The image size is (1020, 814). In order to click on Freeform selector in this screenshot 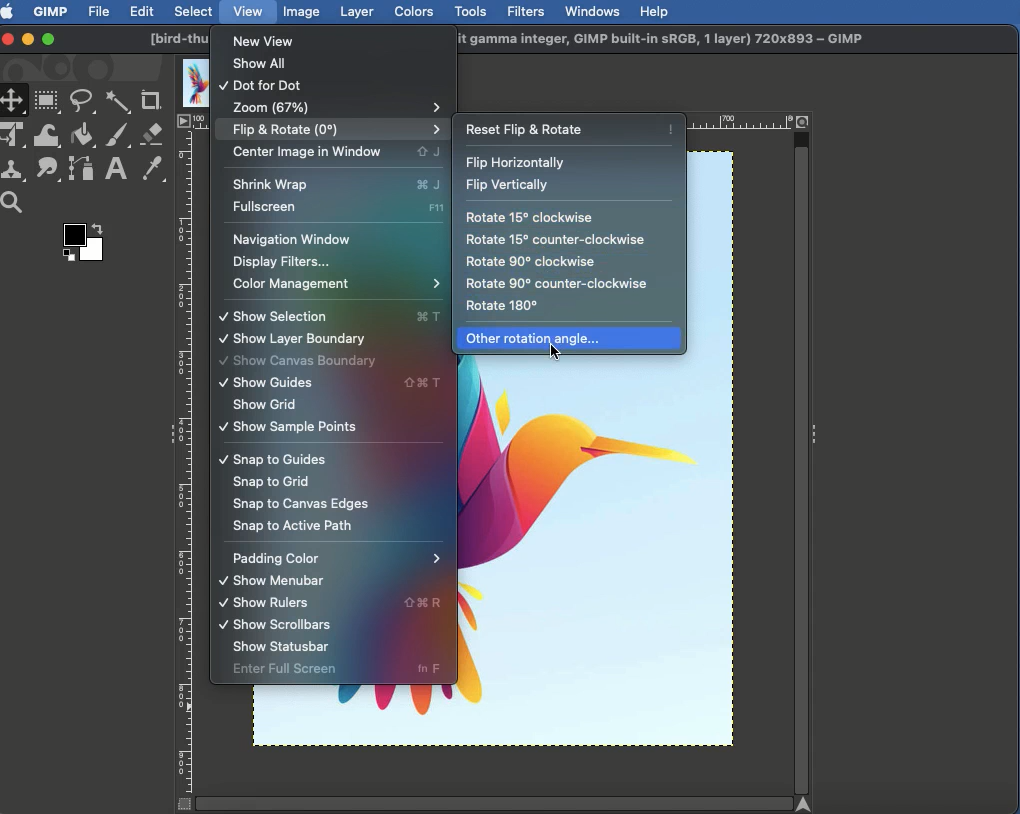, I will do `click(84, 104)`.